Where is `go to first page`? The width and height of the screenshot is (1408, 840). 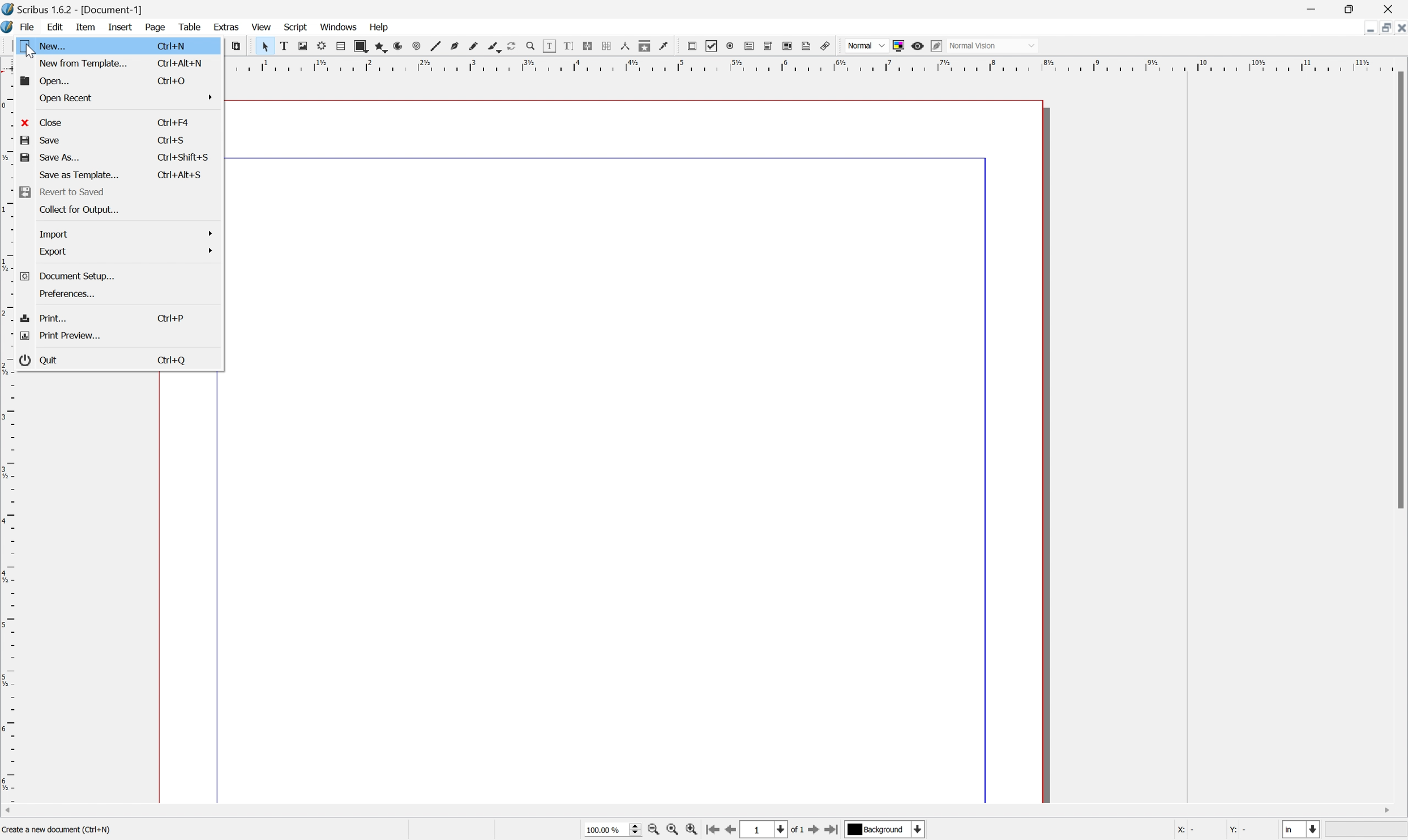 go to first page is located at coordinates (714, 831).